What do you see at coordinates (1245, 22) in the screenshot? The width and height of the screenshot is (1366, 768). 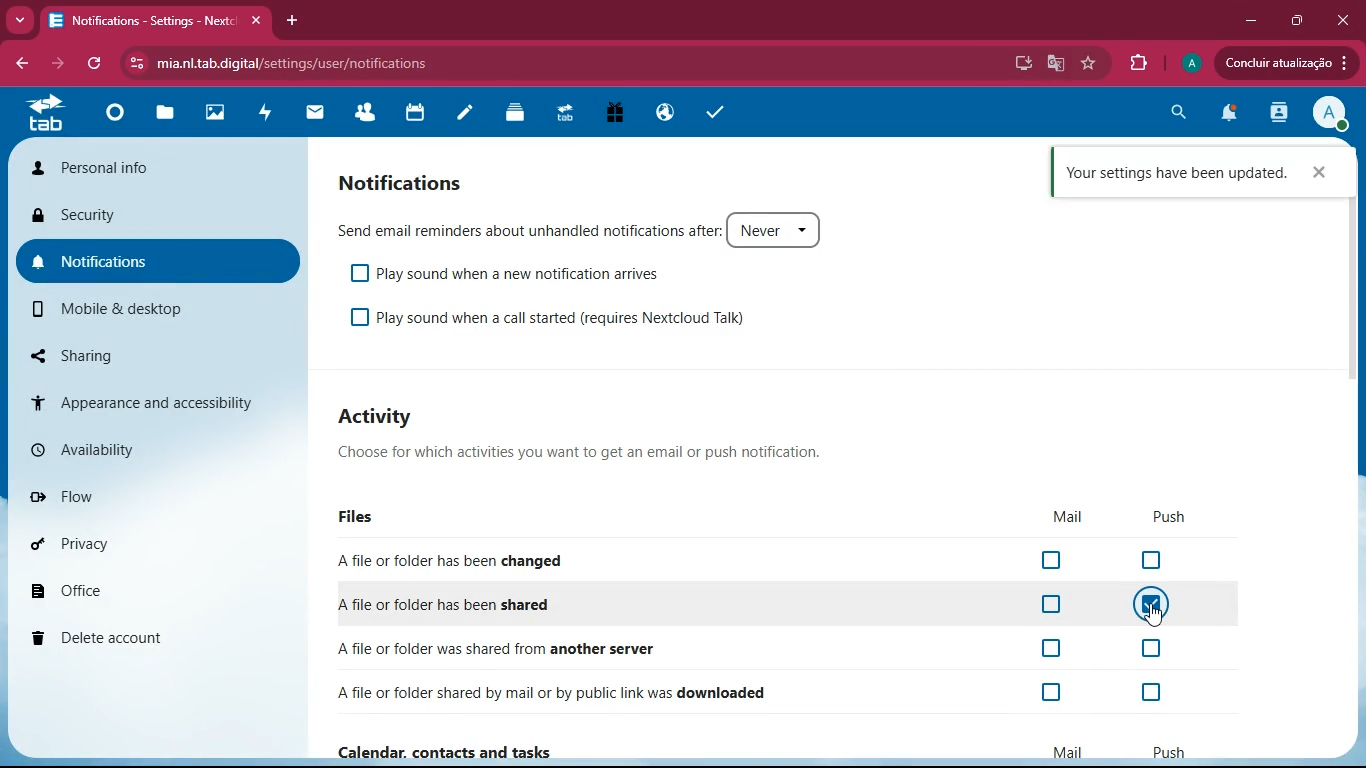 I see `minimize` at bounding box center [1245, 22].